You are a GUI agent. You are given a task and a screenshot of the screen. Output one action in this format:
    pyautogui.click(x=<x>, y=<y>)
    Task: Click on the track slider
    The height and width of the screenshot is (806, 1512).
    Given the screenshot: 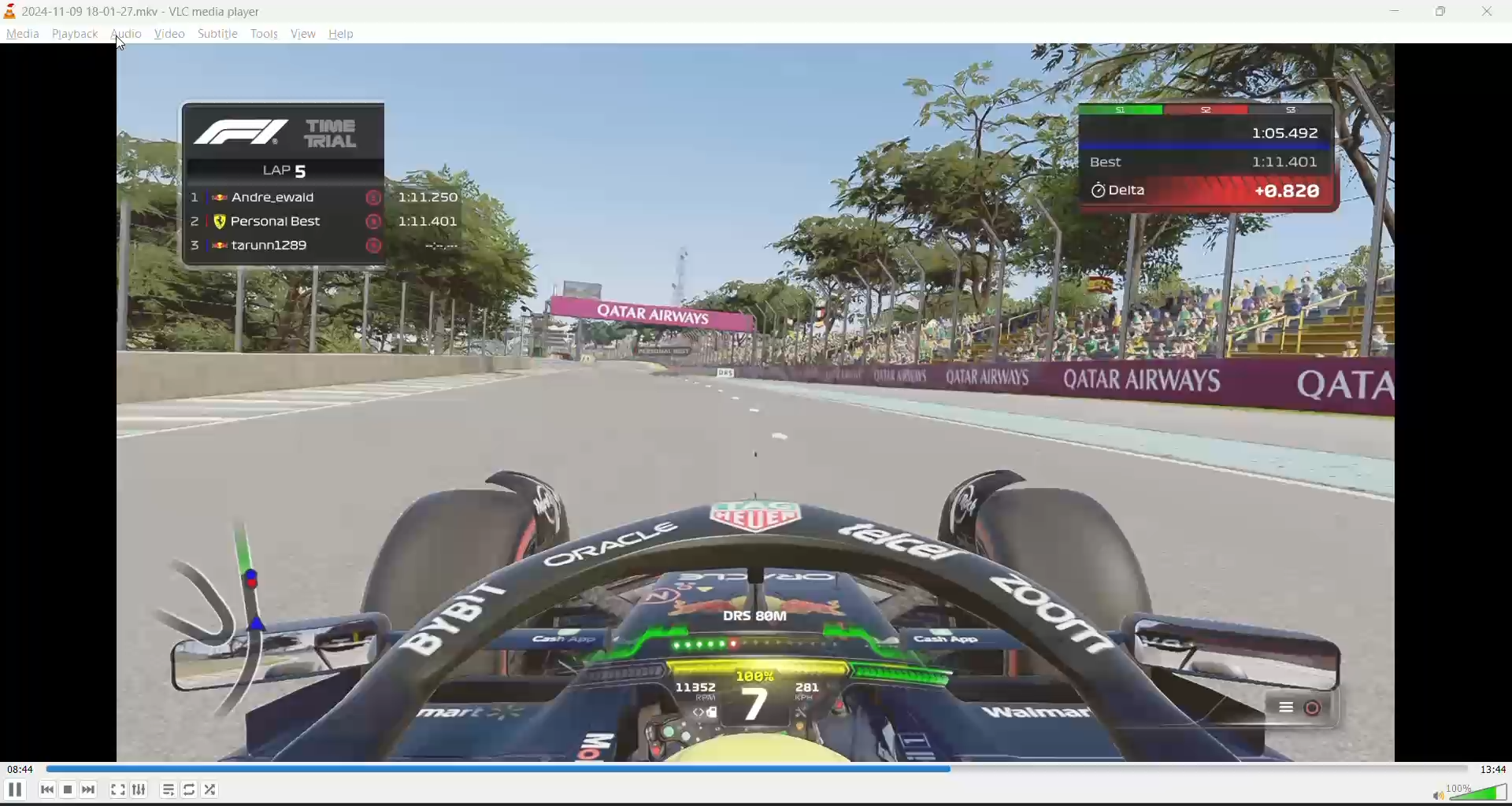 What is the action you would take?
    pyautogui.click(x=763, y=1096)
    